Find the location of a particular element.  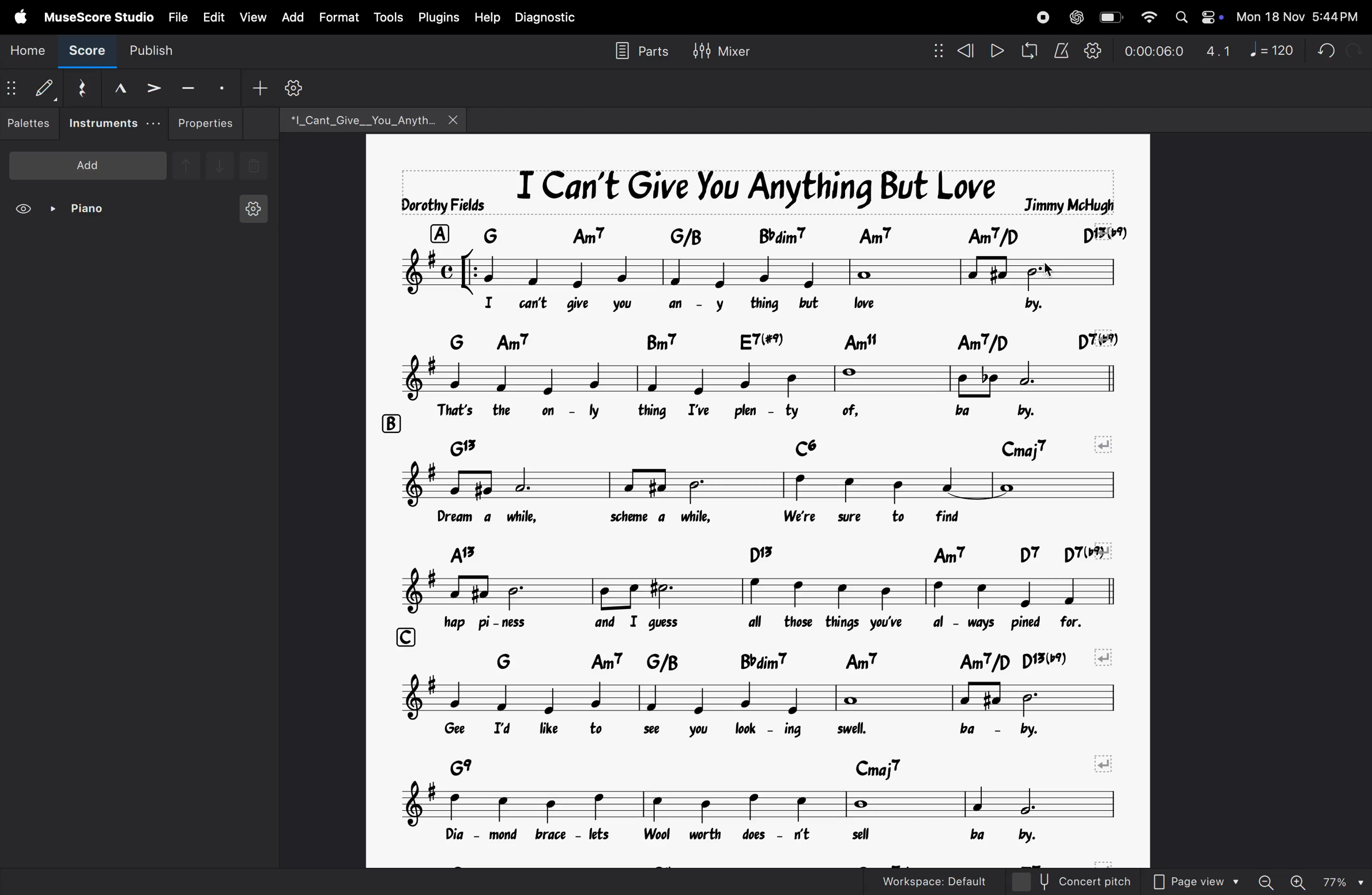

downnote is located at coordinates (218, 166).